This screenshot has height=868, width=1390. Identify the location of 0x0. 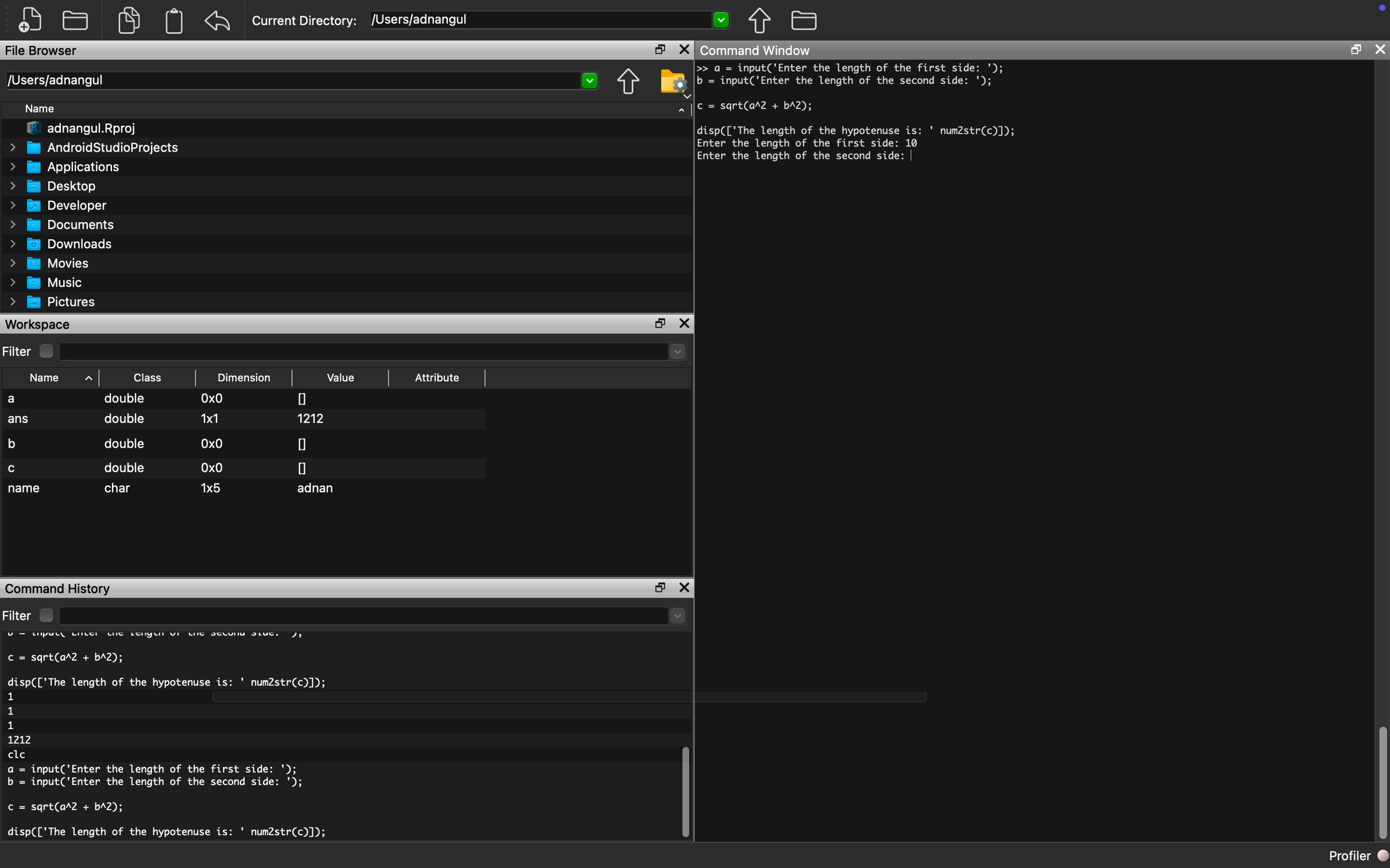
(214, 400).